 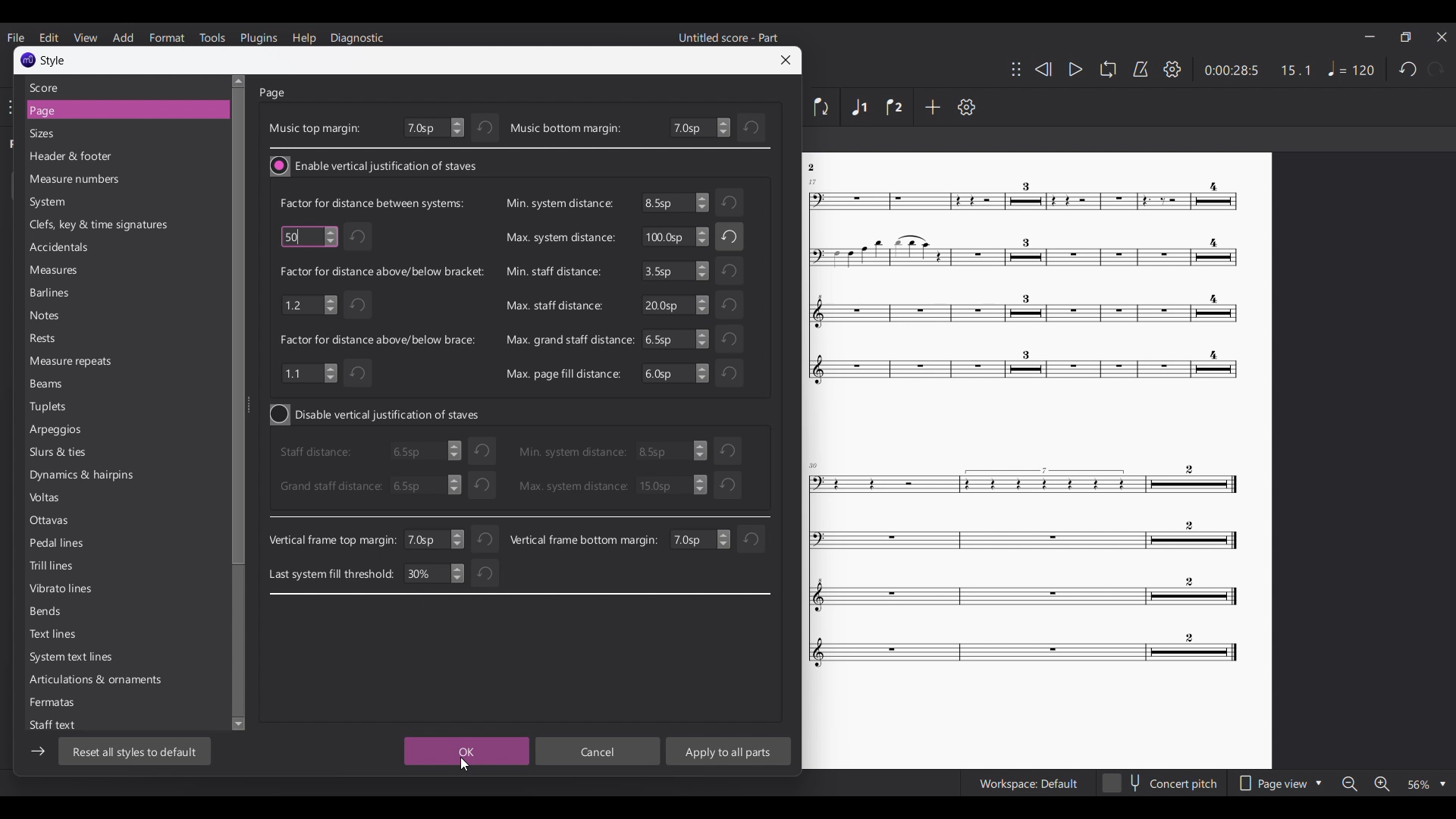 I want to click on Cancel, so click(x=598, y=752).